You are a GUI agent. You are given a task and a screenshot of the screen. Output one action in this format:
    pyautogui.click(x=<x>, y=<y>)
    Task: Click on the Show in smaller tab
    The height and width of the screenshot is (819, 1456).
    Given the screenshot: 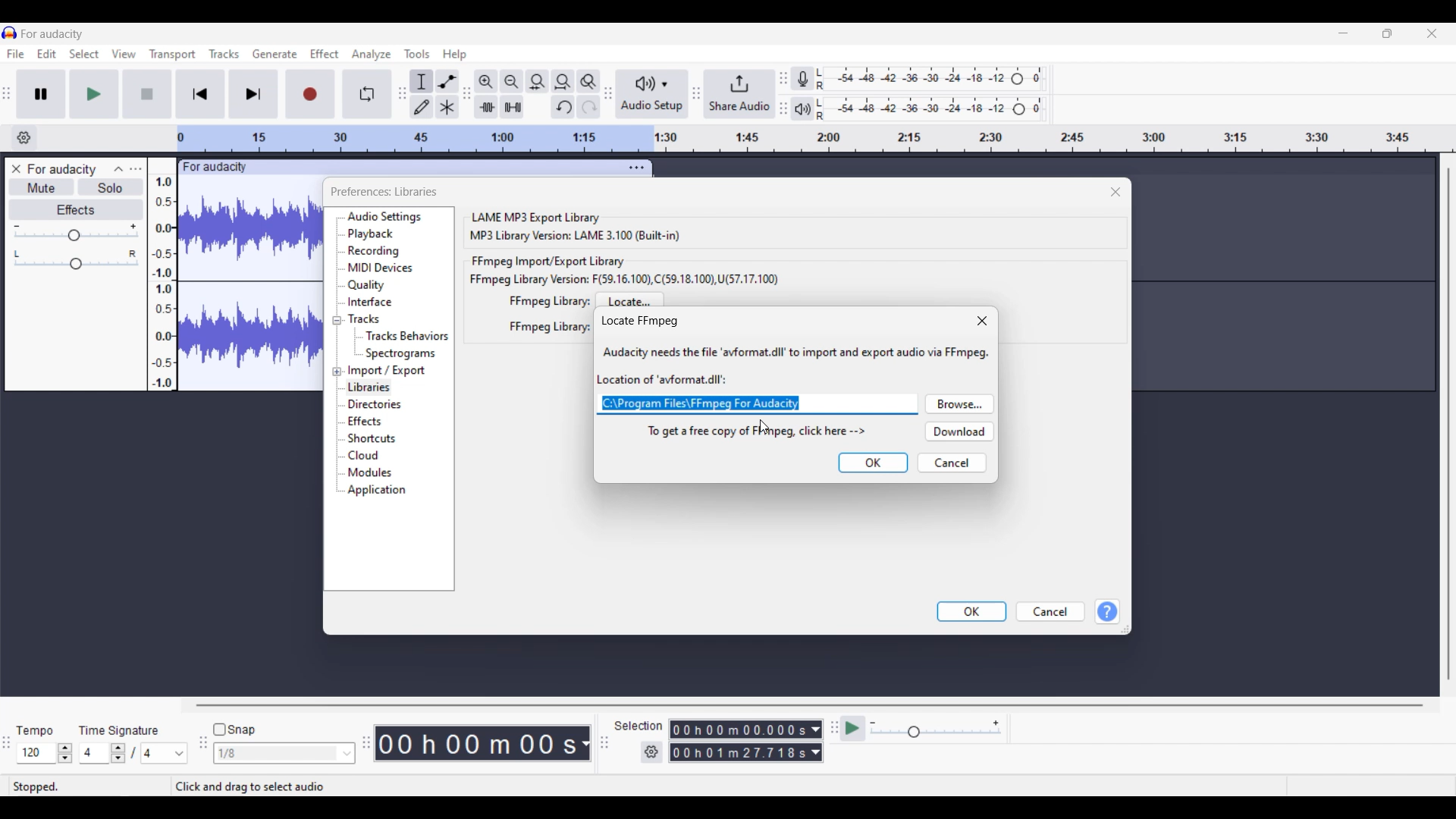 What is the action you would take?
    pyautogui.click(x=1387, y=33)
    